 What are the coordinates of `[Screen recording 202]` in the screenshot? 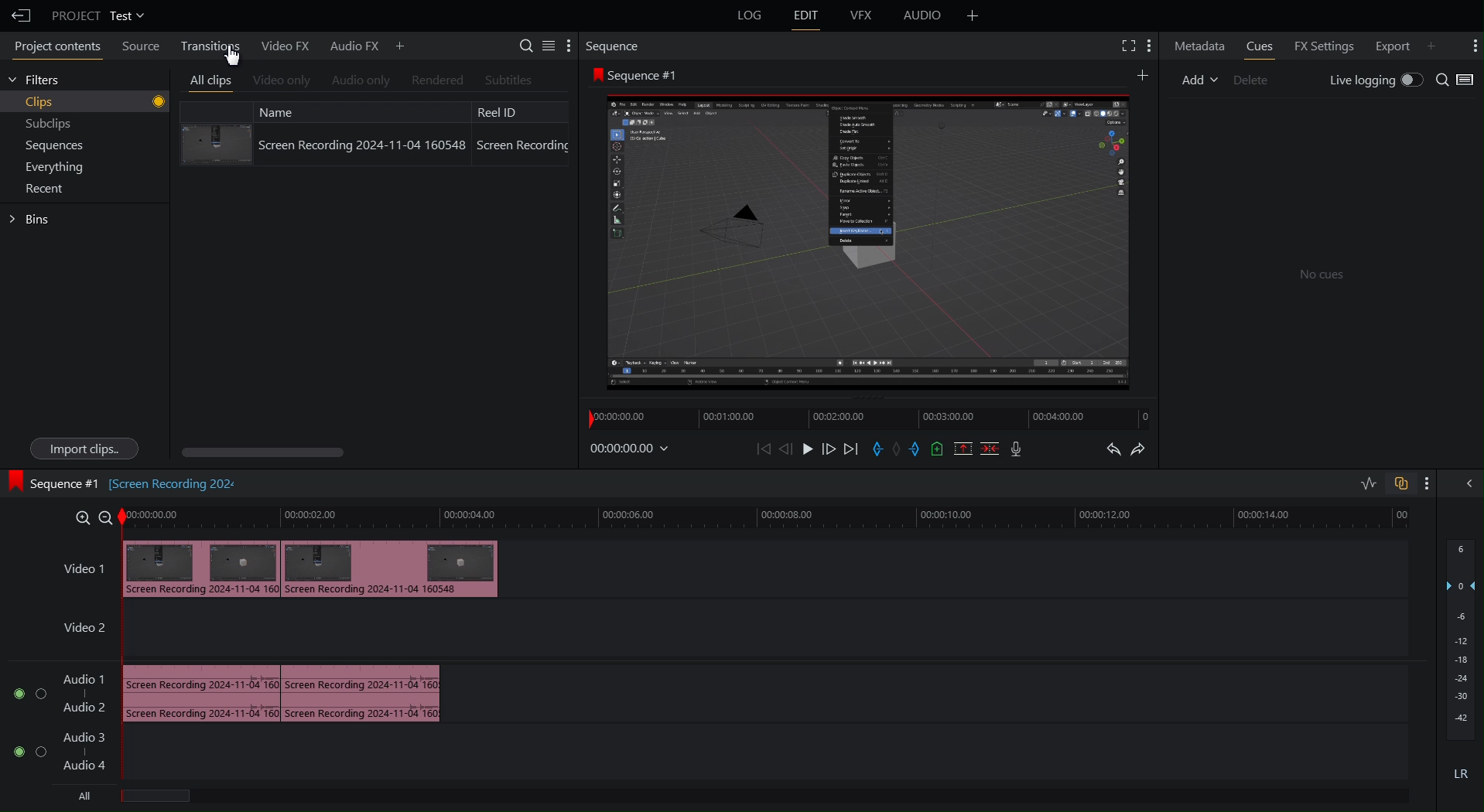 It's located at (171, 483).